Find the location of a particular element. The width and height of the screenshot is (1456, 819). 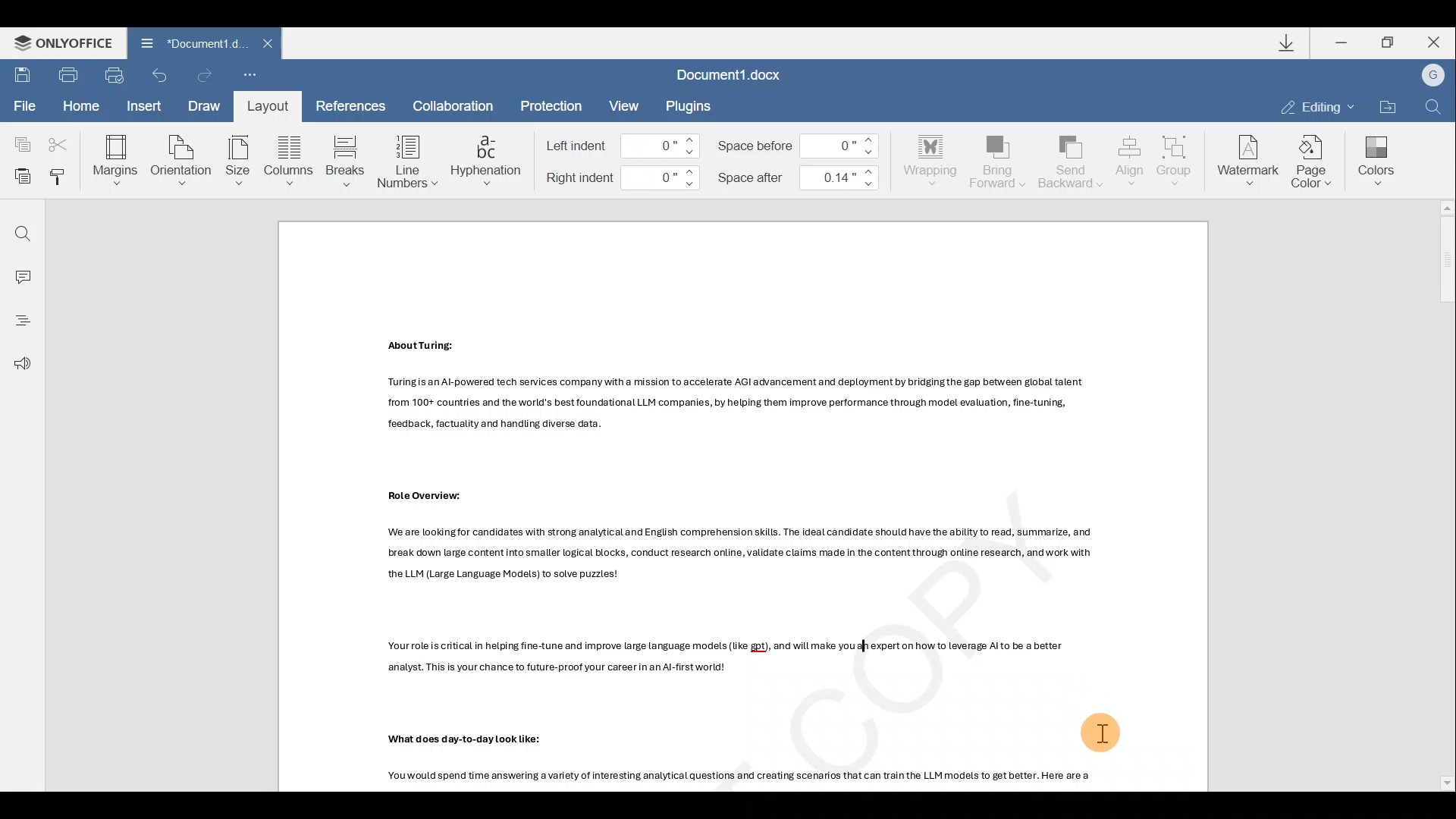

Insert is located at coordinates (146, 108).